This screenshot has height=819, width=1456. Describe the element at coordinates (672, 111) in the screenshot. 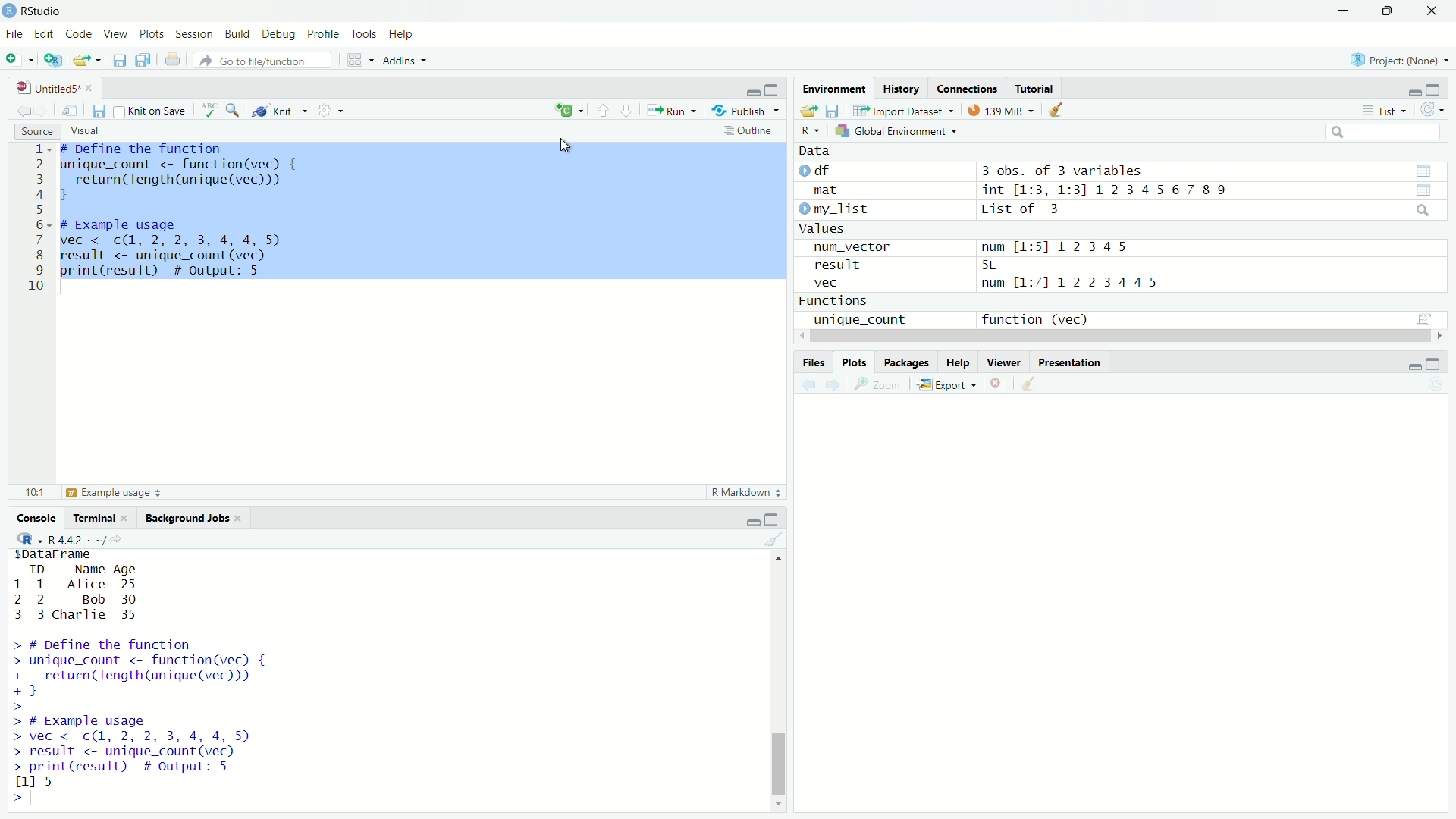

I see `Run` at that location.